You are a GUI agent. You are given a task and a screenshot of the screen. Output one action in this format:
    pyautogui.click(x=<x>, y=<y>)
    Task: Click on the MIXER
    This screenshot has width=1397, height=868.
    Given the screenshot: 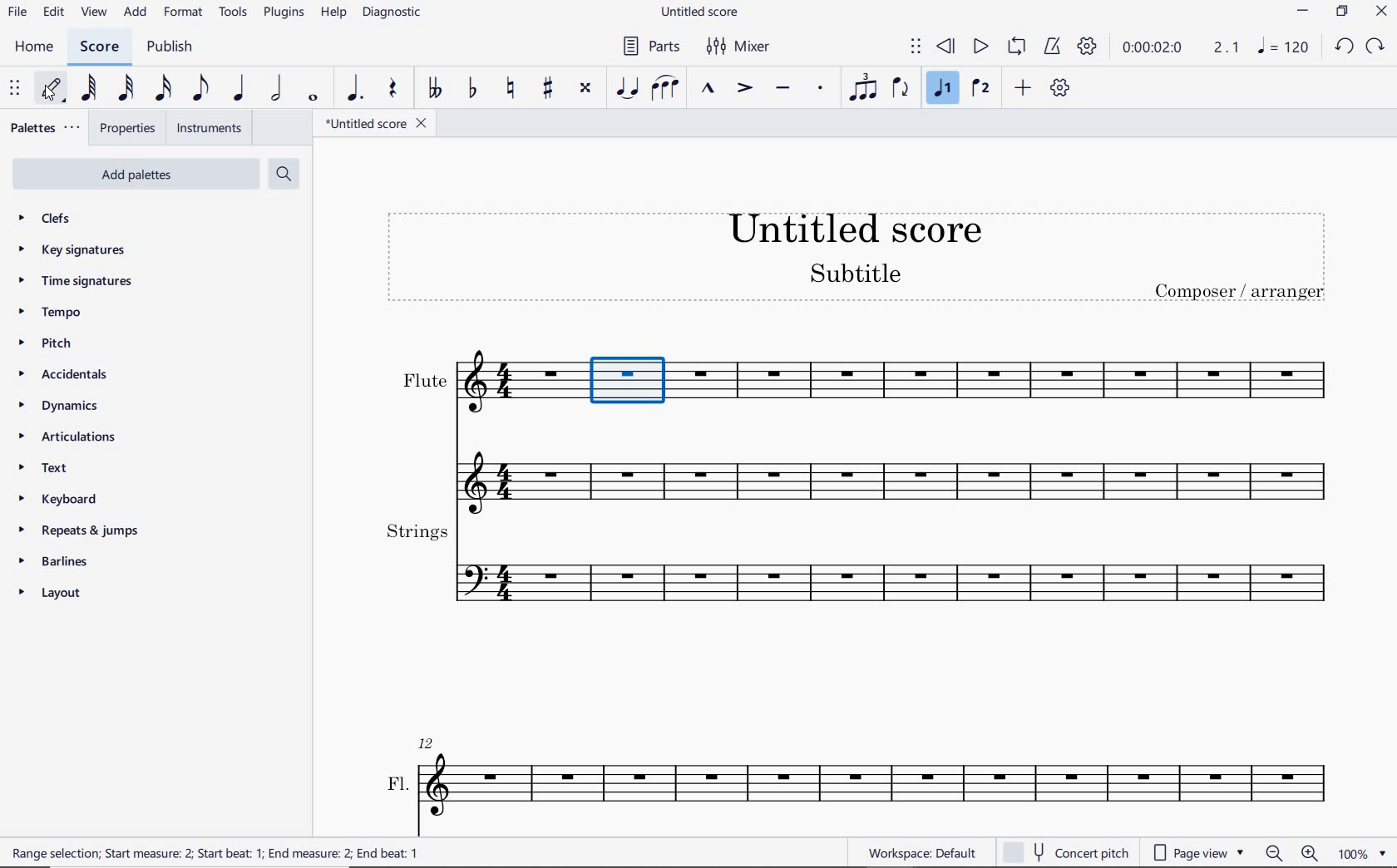 What is the action you would take?
    pyautogui.click(x=740, y=47)
    